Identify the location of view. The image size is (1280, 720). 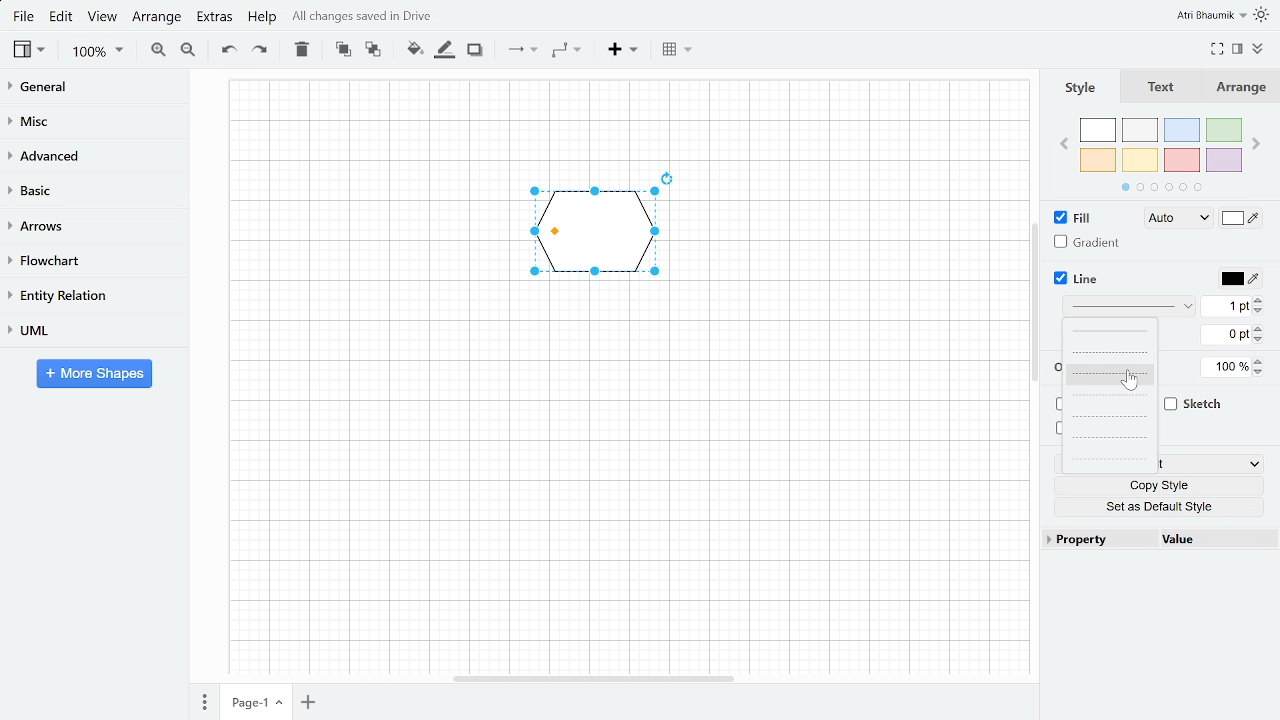
(29, 51).